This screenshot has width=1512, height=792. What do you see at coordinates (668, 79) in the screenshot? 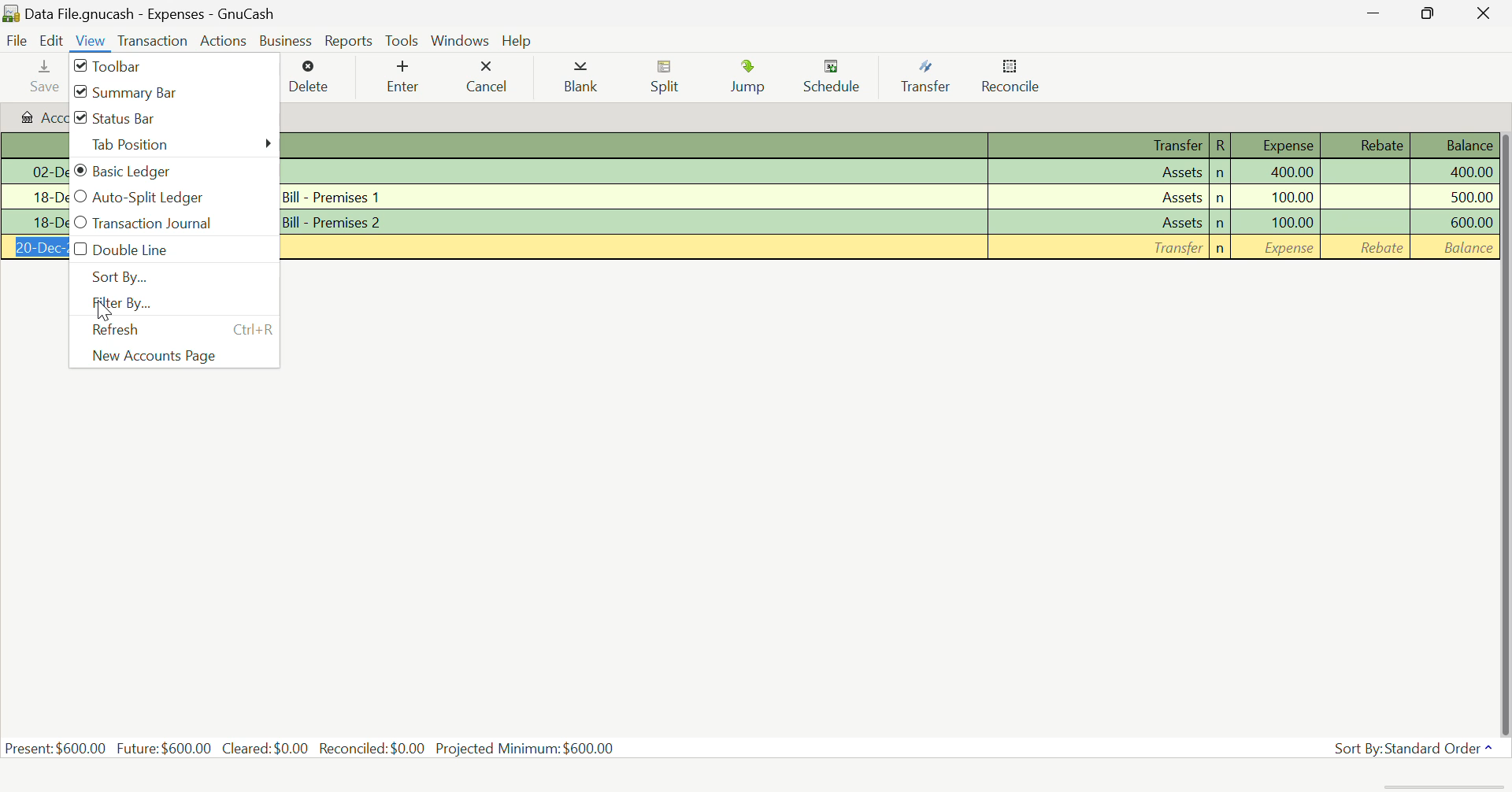
I see `Split` at bounding box center [668, 79].